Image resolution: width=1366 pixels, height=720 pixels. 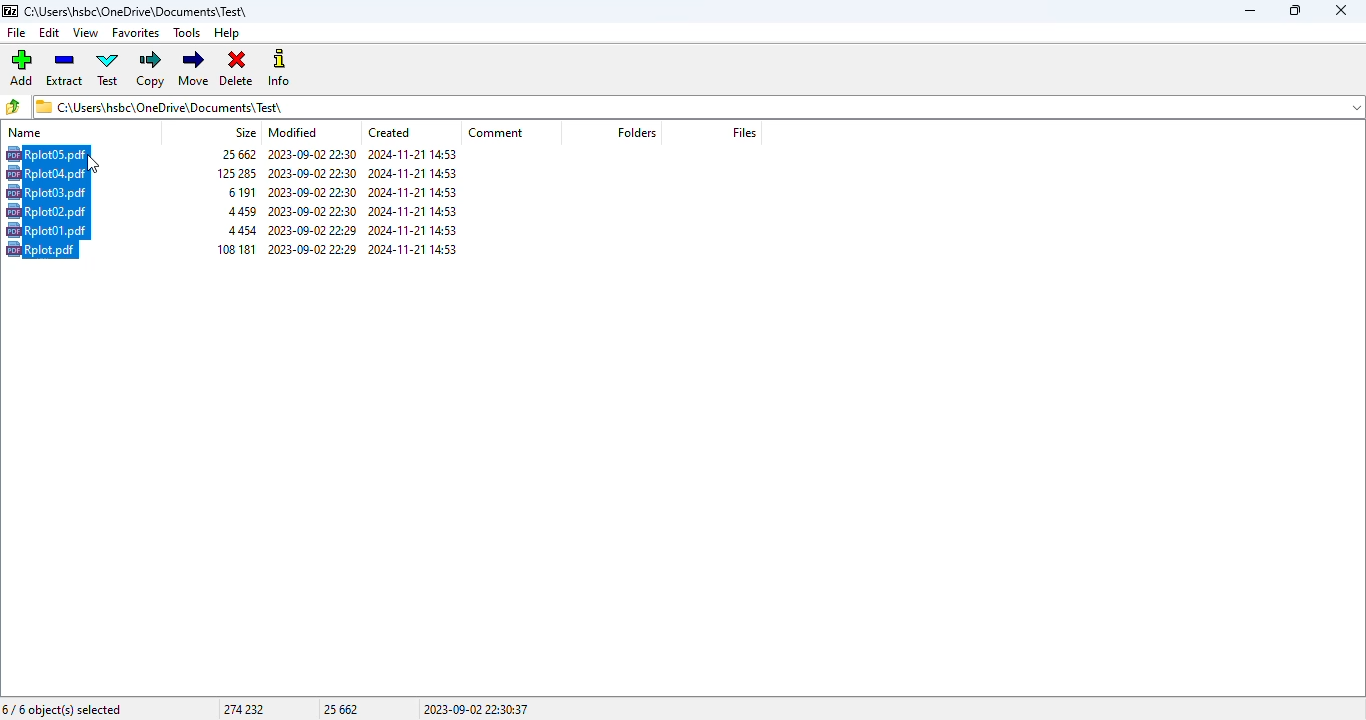 What do you see at coordinates (151, 69) in the screenshot?
I see `copy` at bounding box center [151, 69].